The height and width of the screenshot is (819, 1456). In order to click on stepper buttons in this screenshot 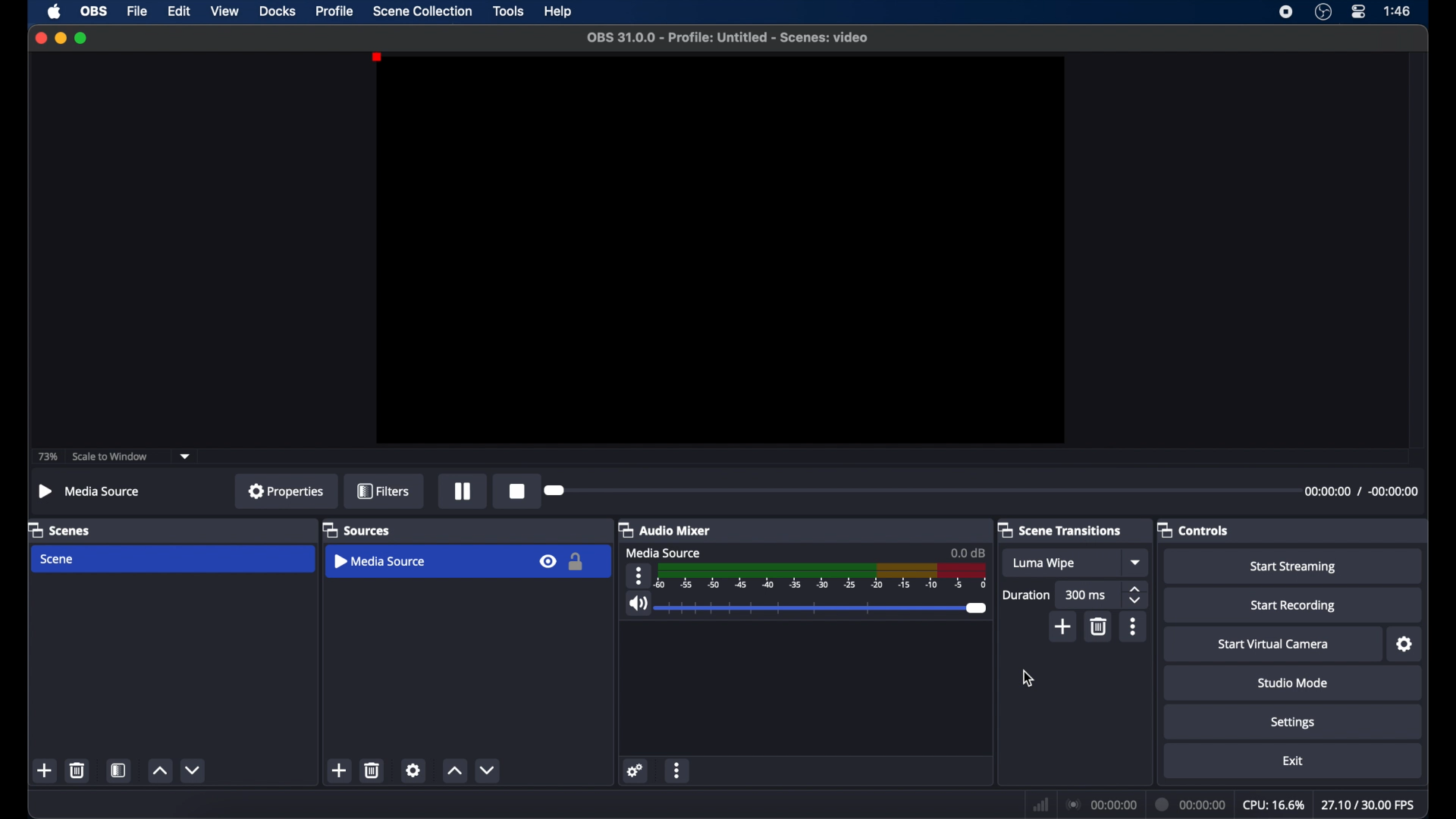, I will do `click(1136, 595)`.